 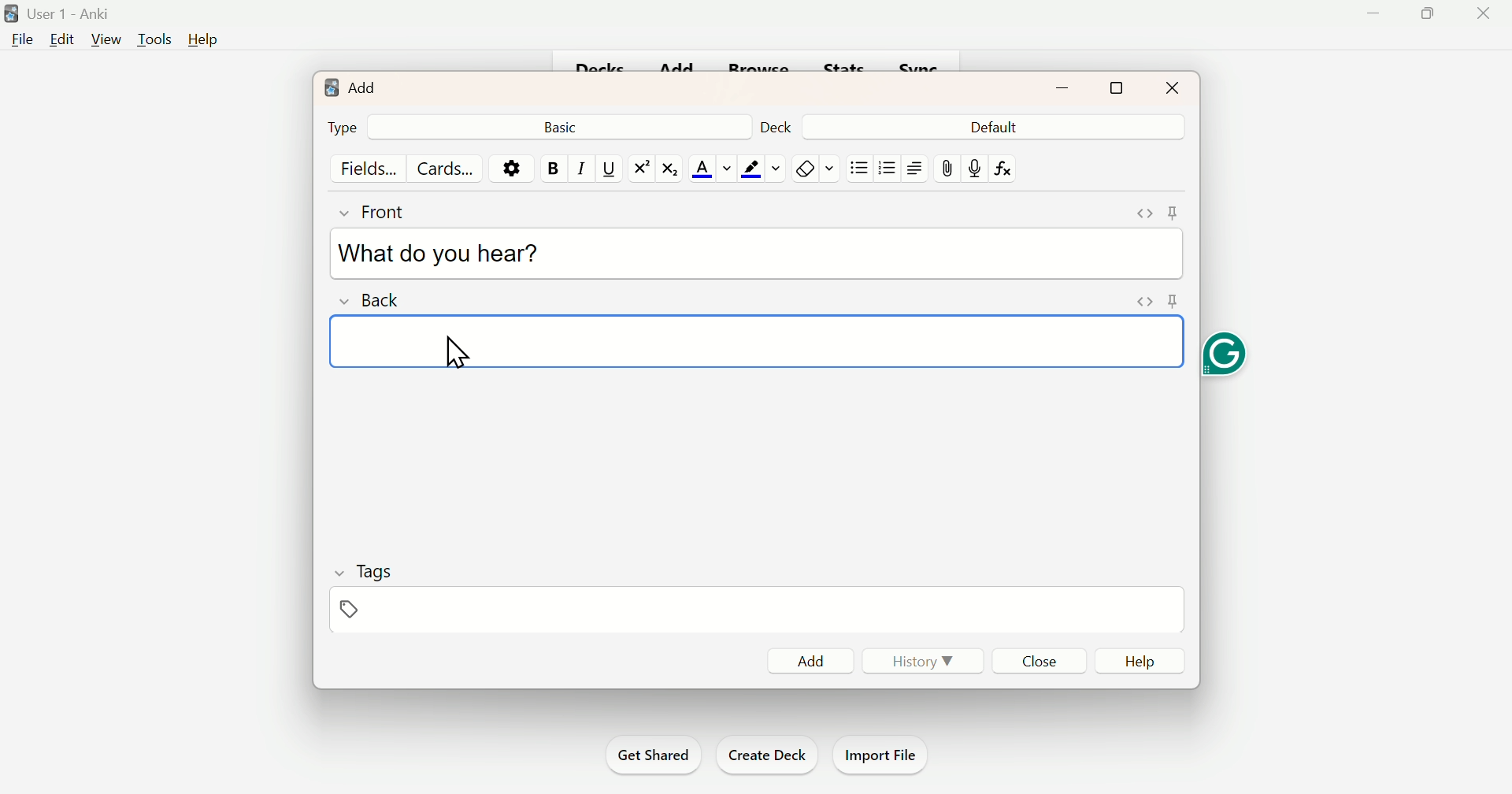 I want to click on Close, so click(x=1173, y=87).